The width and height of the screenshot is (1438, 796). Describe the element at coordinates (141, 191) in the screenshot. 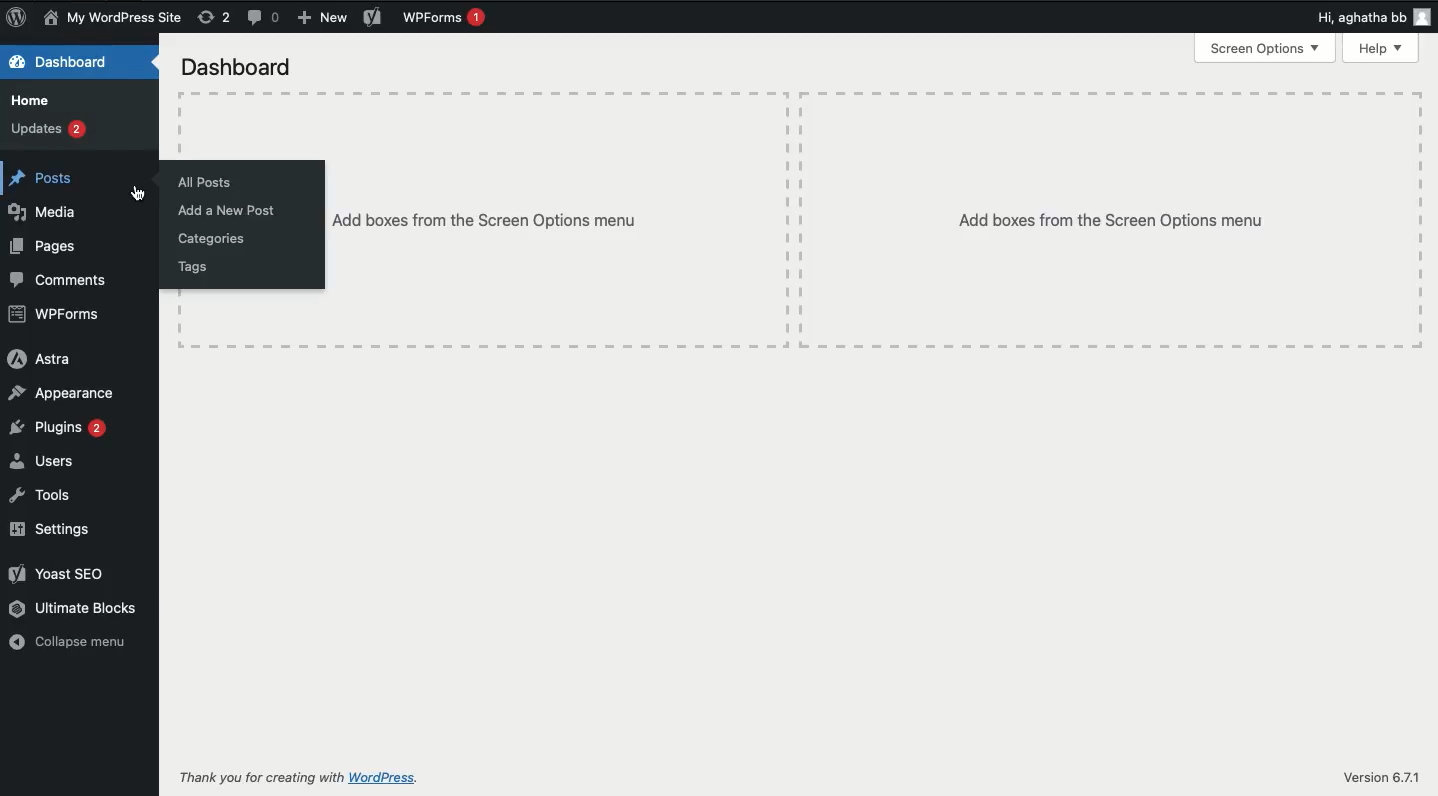

I see `cursor` at that location.